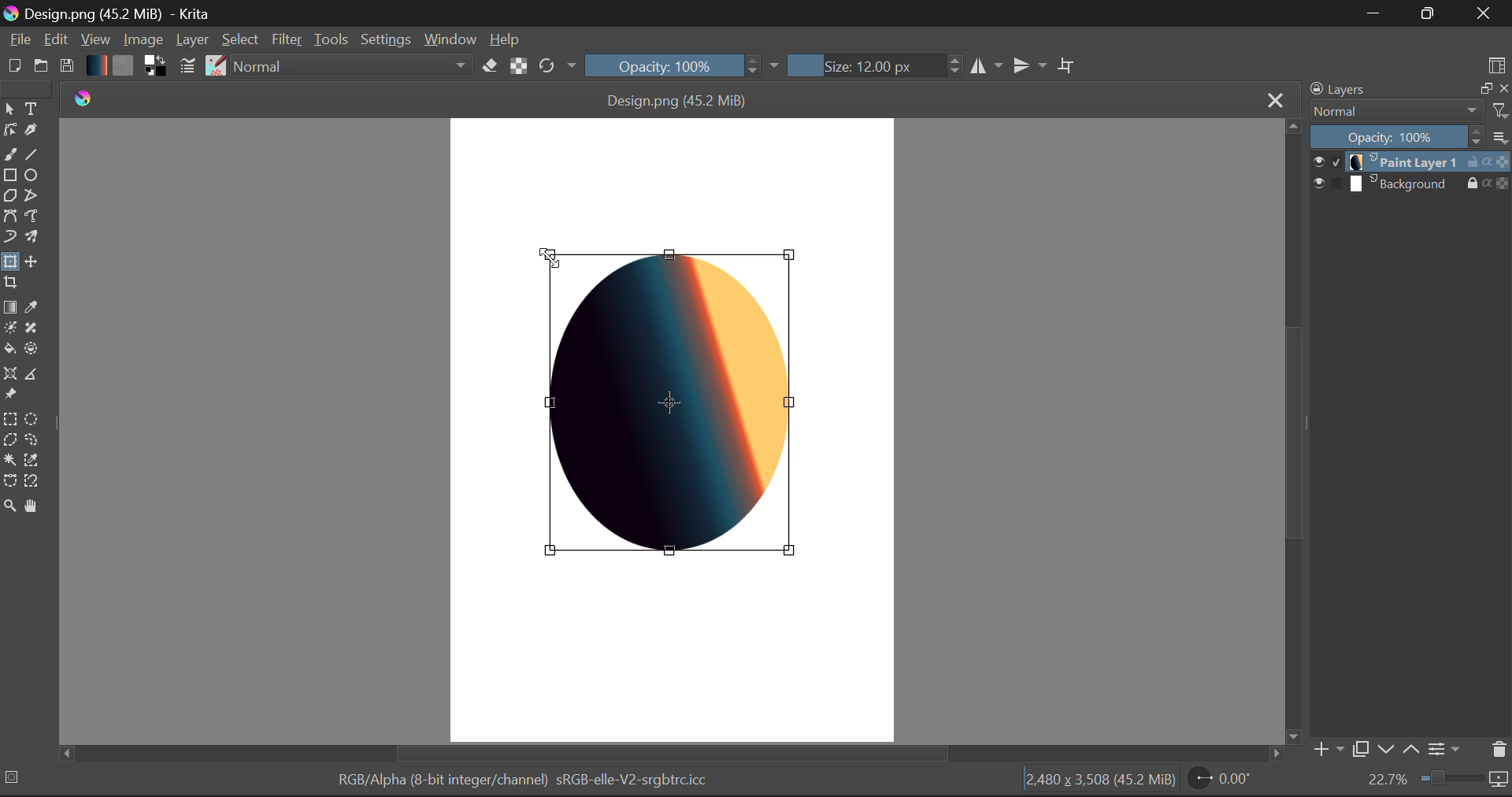 The height and width of the screenshot is (797, 1512). Describe the element at coordinates (81, 98) in the screenshot. I see `Krita Logo` at that location.